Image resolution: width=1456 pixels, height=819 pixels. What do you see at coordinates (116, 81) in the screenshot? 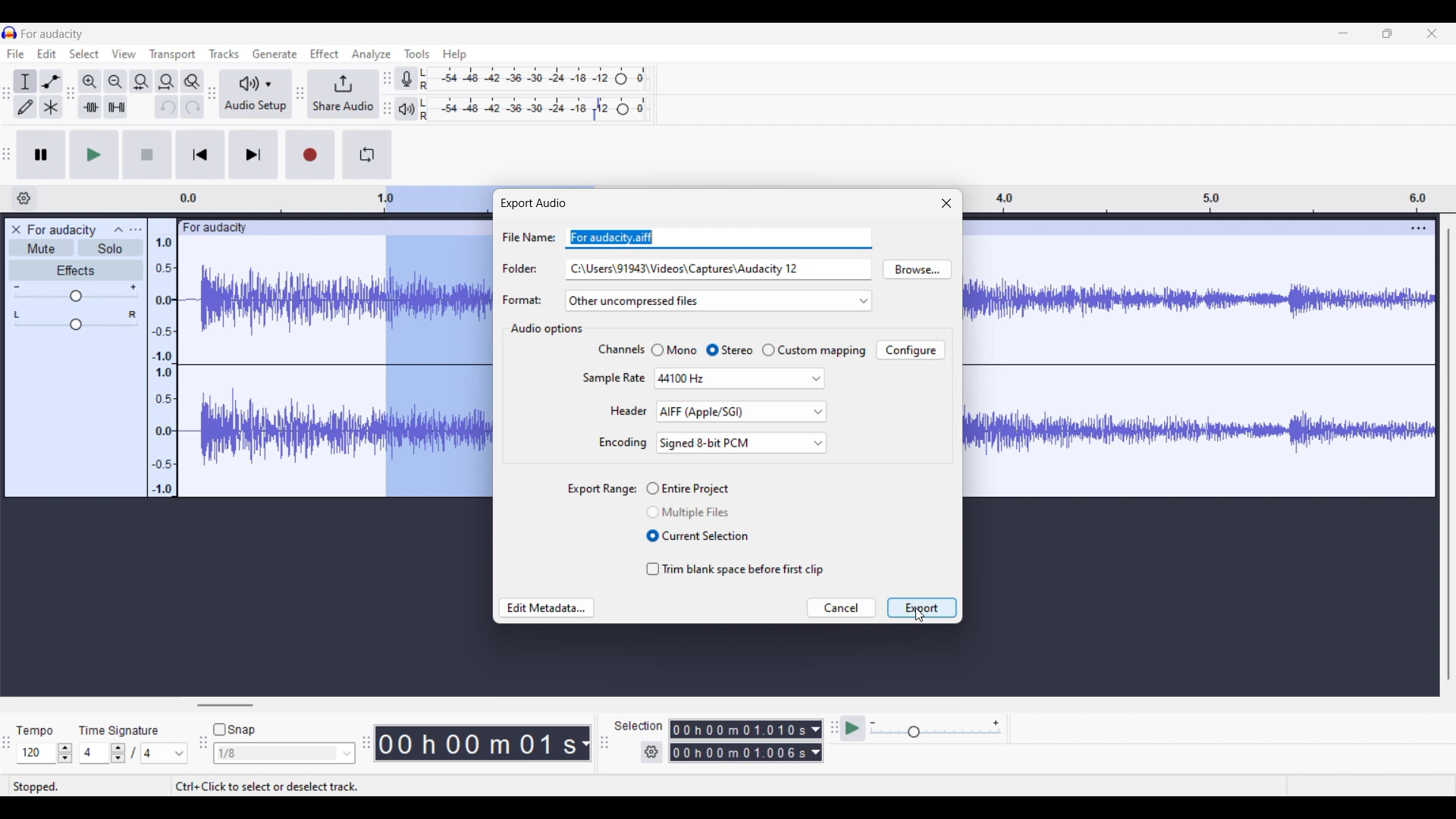
I see `Zoom out` at bounding box center [116, 81].